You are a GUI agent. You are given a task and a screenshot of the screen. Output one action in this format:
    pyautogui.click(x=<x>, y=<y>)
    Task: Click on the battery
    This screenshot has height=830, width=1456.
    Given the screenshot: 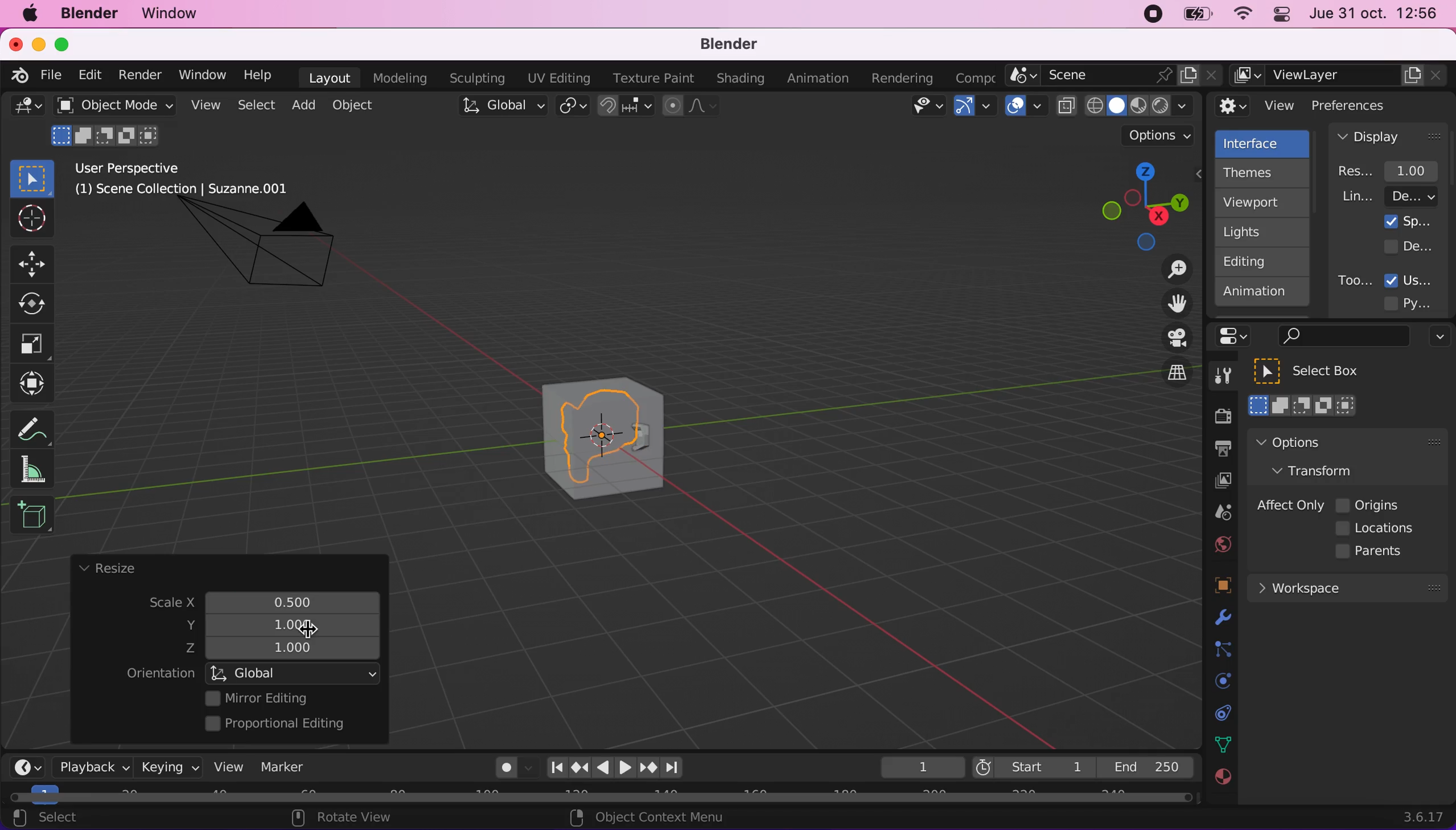 What is the action you would take?
    pyautogui.click(x=1193, y=17)
    